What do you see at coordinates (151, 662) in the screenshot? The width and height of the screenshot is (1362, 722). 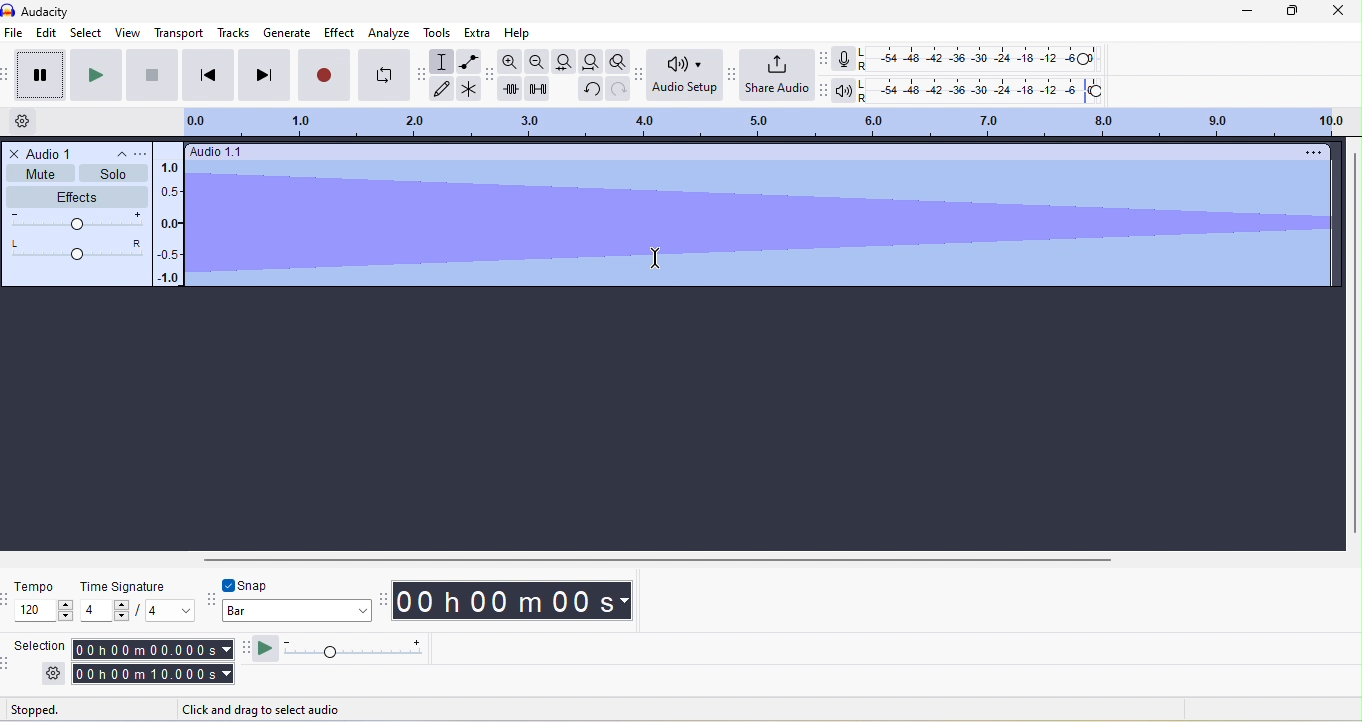 I see `00 h 00 m 00.000 s` at bounding box center [151, 662].